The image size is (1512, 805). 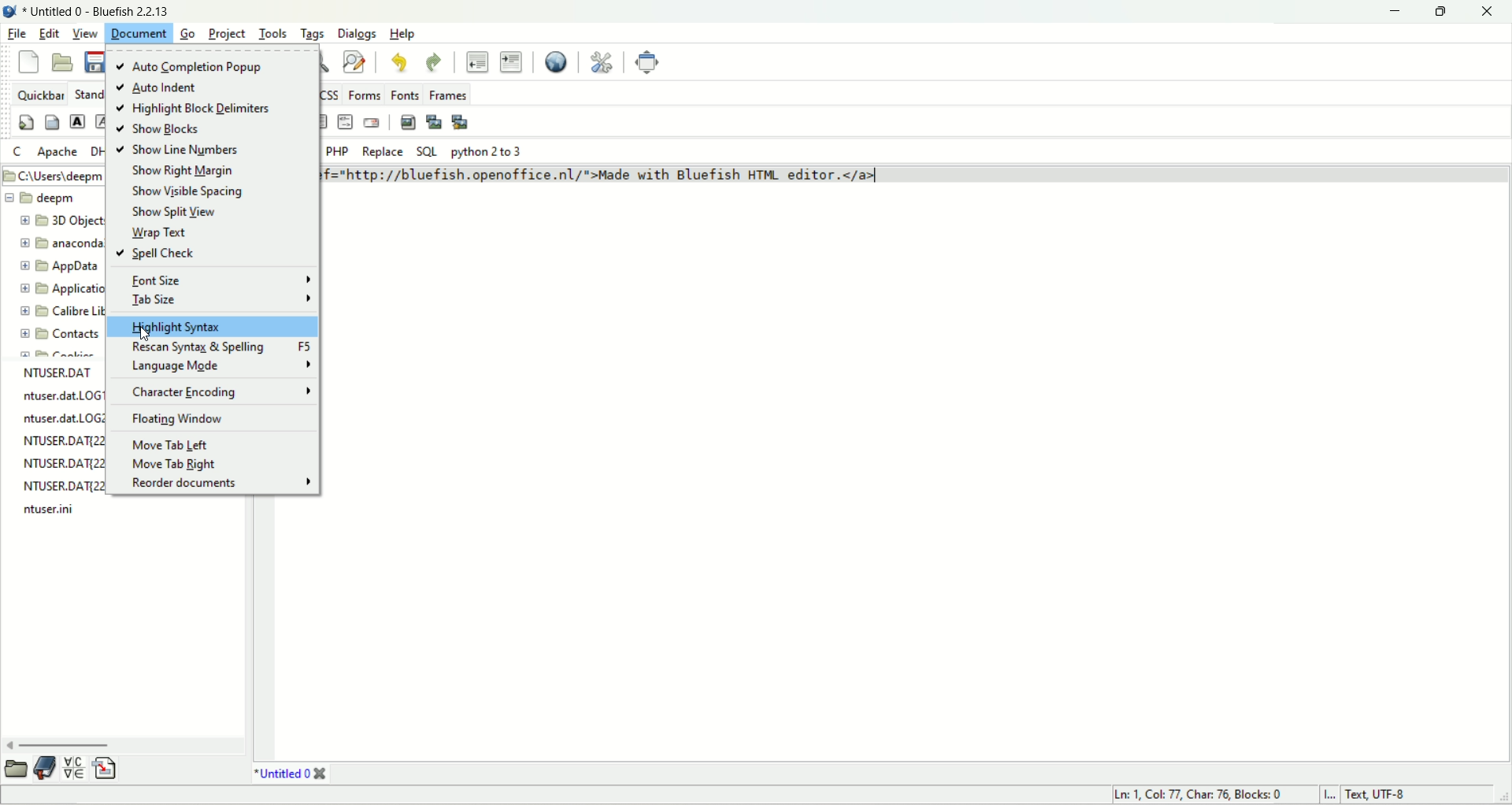 I want to click on advanced find and replace, so click(x=357, y=62).